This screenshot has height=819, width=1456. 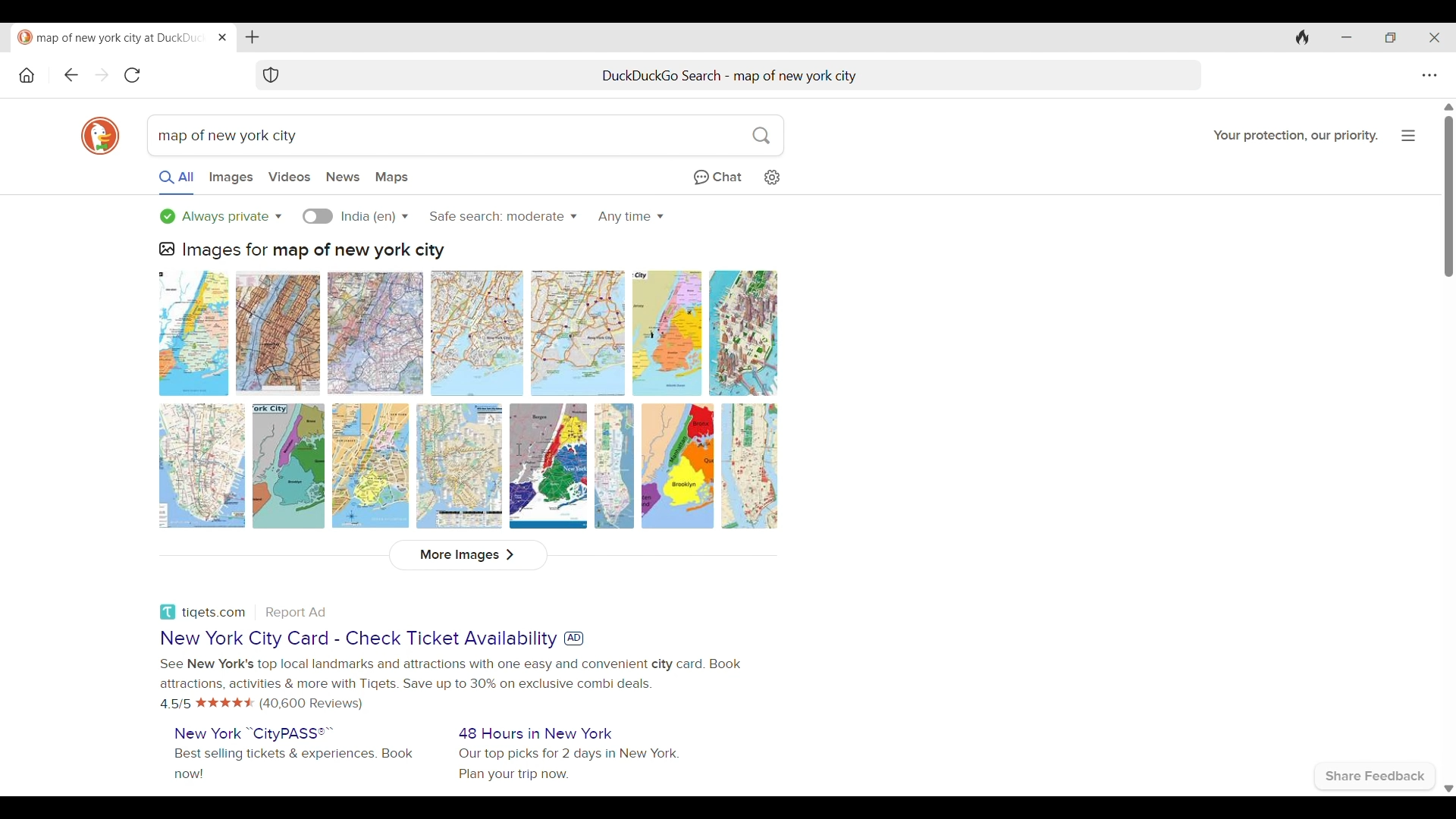 I want to click on Search images, so click(x=231, y=178).